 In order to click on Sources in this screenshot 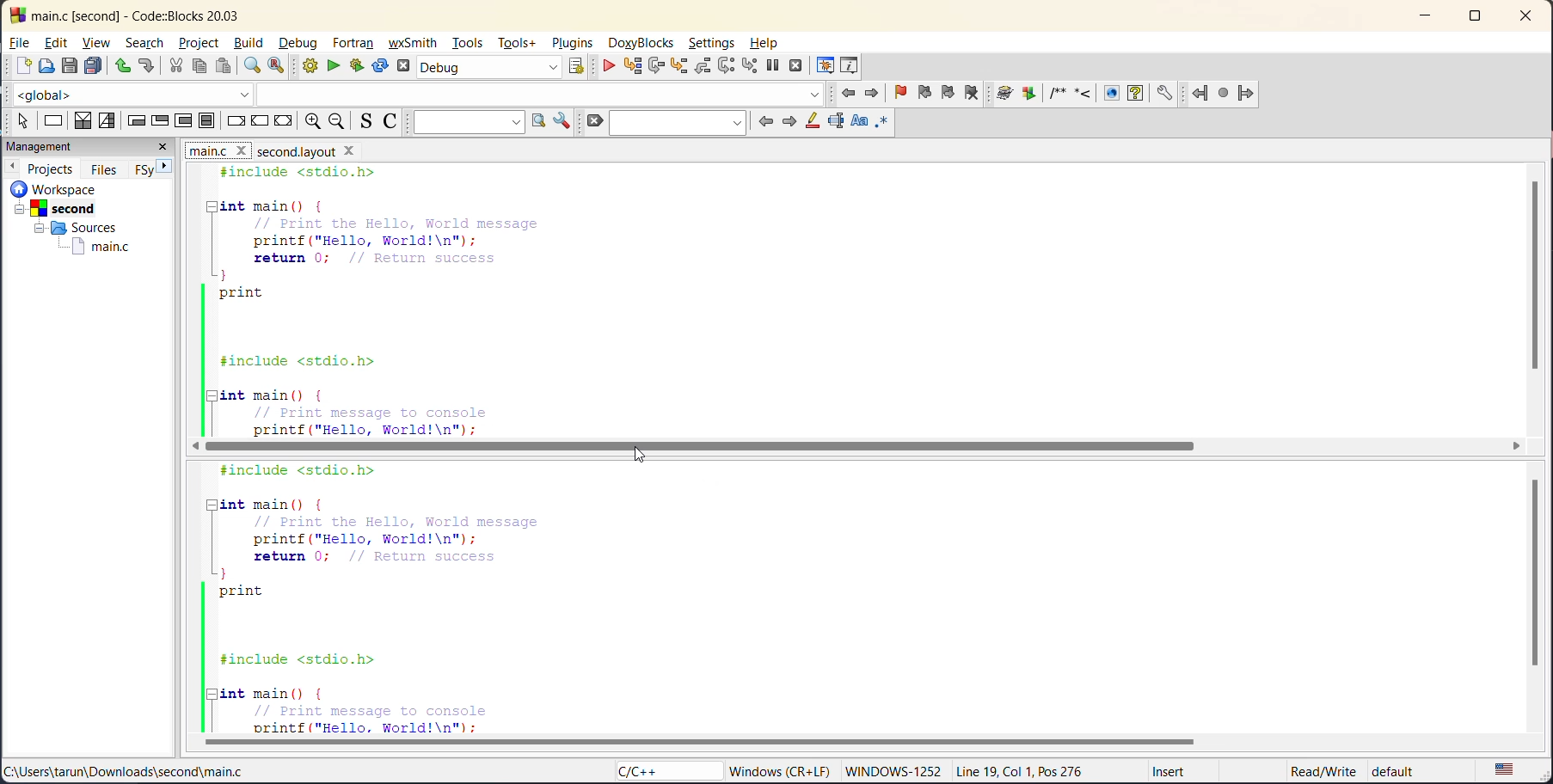, I will do `click(71, 227)`.